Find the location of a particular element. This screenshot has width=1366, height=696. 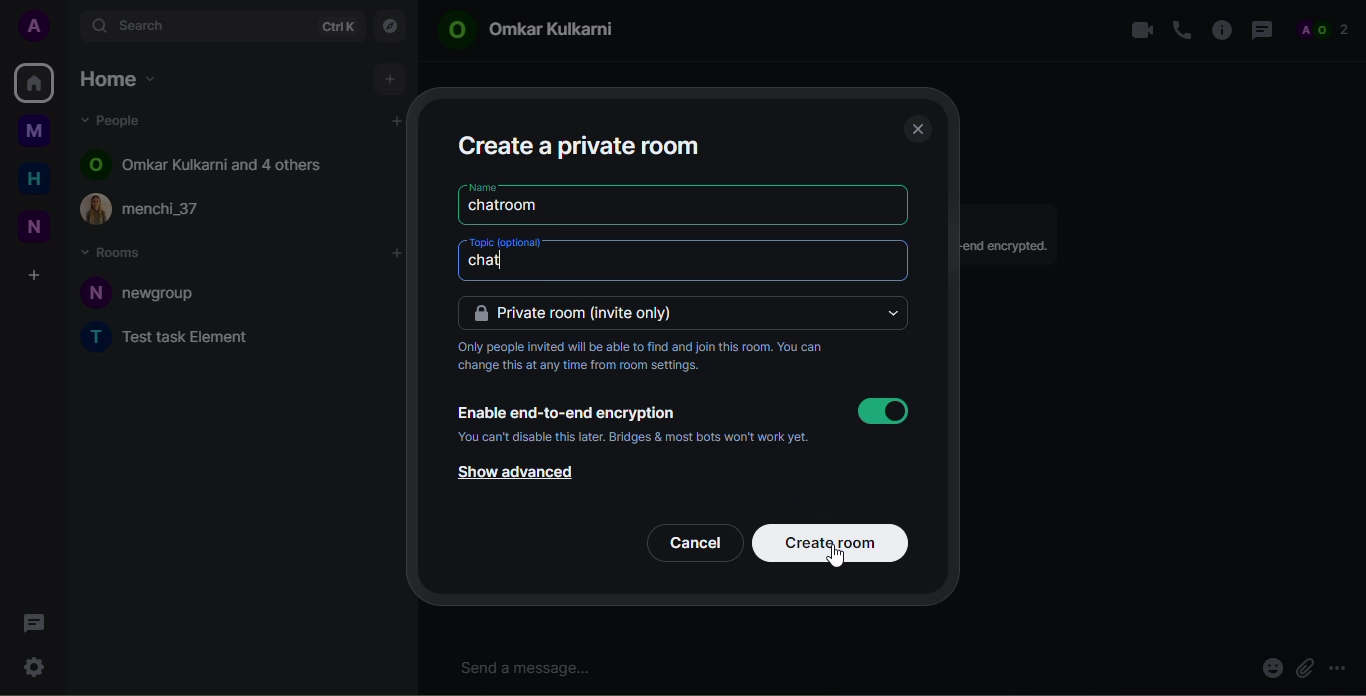

create room is located at coordinates (828, 542).